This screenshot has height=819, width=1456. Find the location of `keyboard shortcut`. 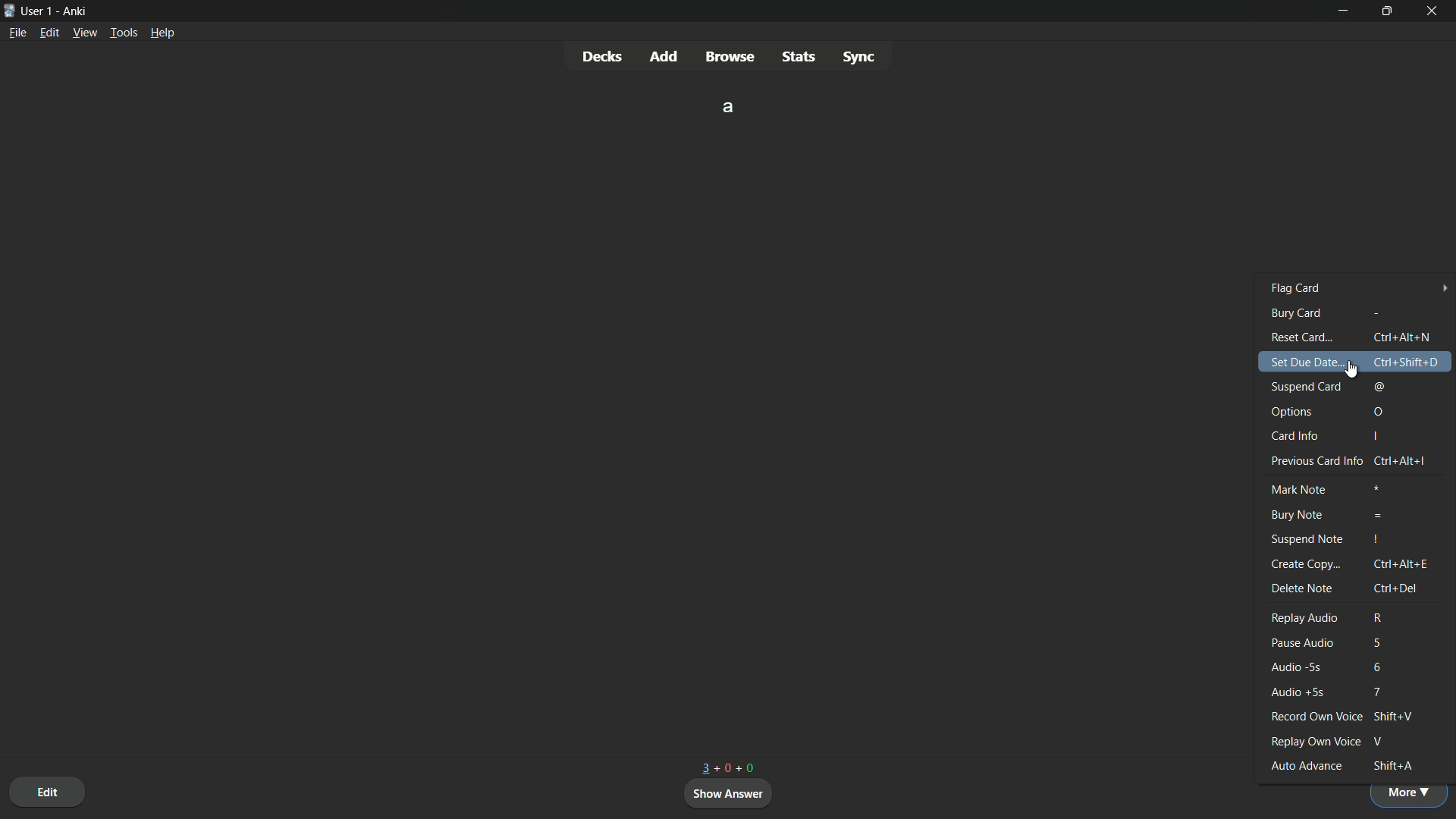

keyboard shortcut is located at coordinates (1401, 565).